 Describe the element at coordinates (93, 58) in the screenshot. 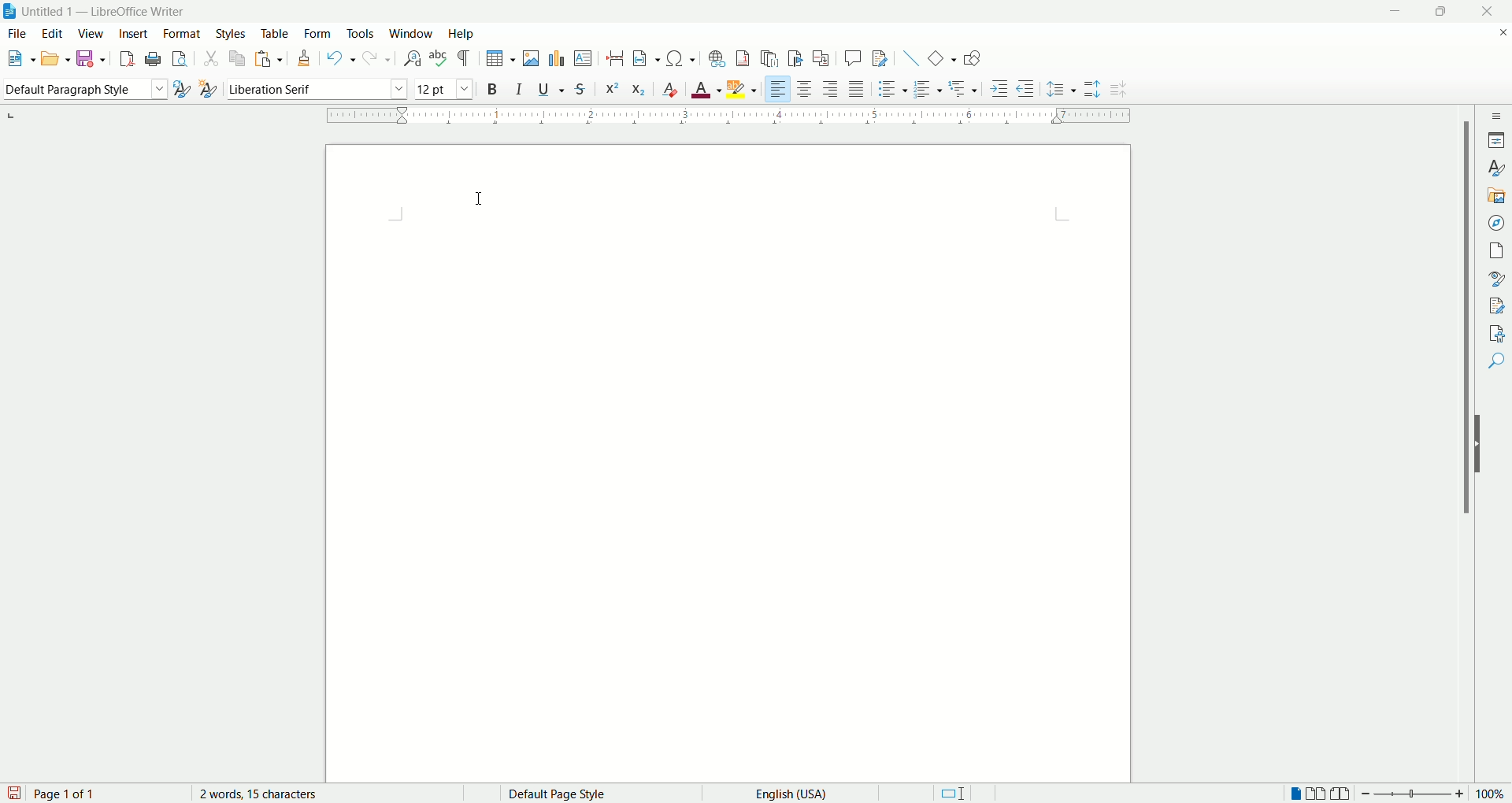

I see `save` at that location.